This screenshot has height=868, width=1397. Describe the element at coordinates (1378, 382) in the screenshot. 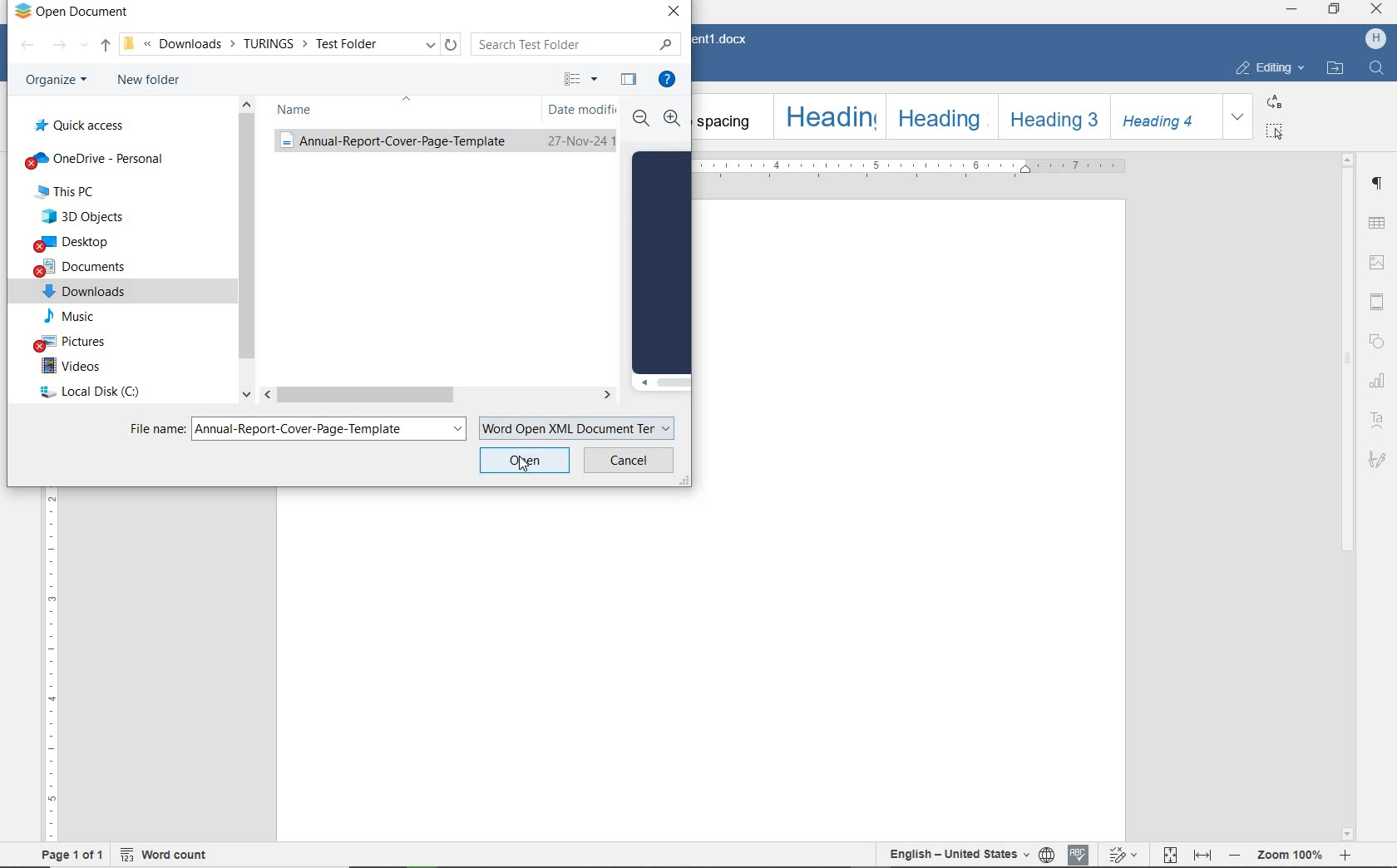

I see `Chart` at that location.